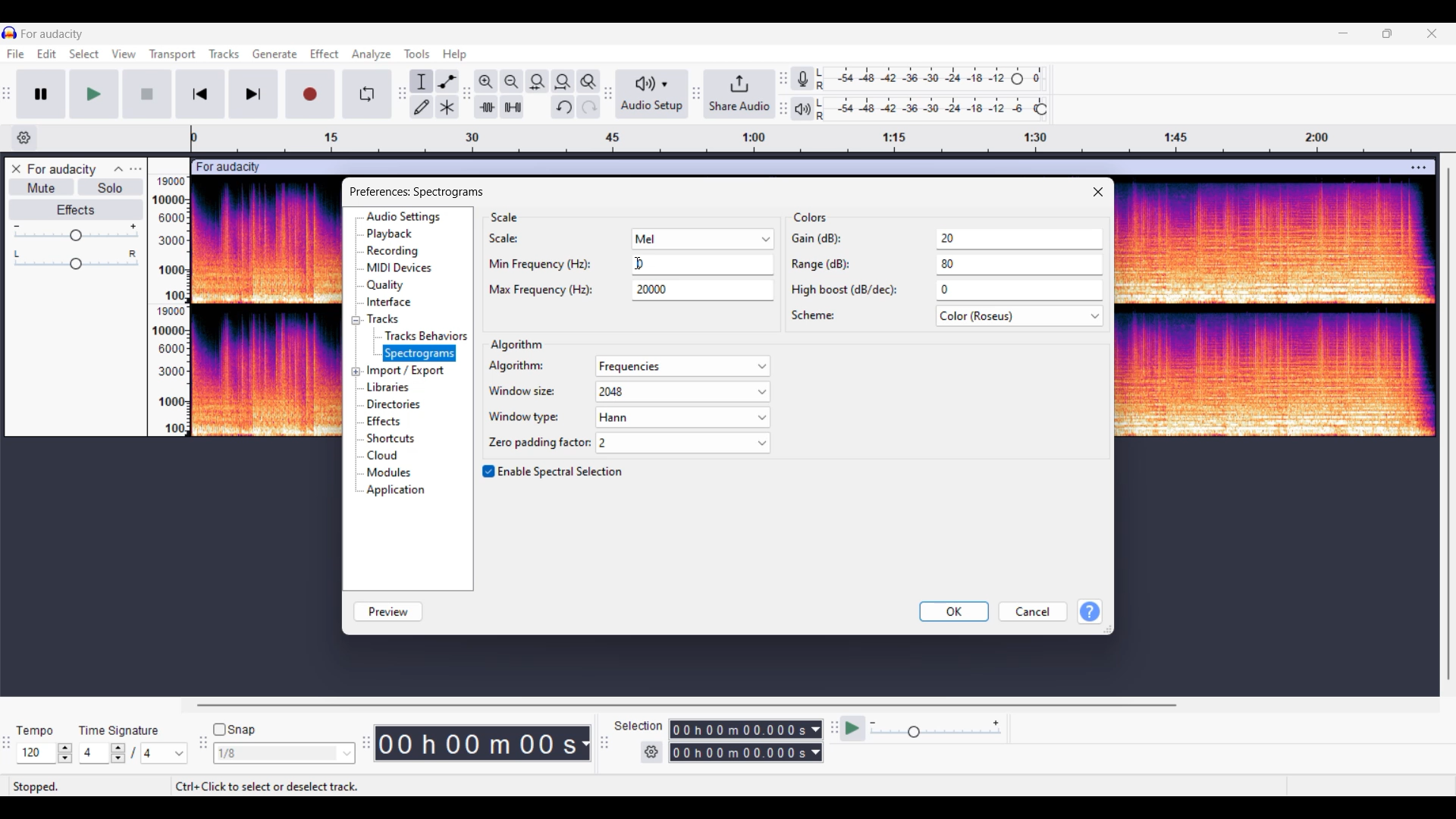 Image resolution: width=1456 pixels, height=819 pixels. I want to click on Tracks menu, so click(224, 54).